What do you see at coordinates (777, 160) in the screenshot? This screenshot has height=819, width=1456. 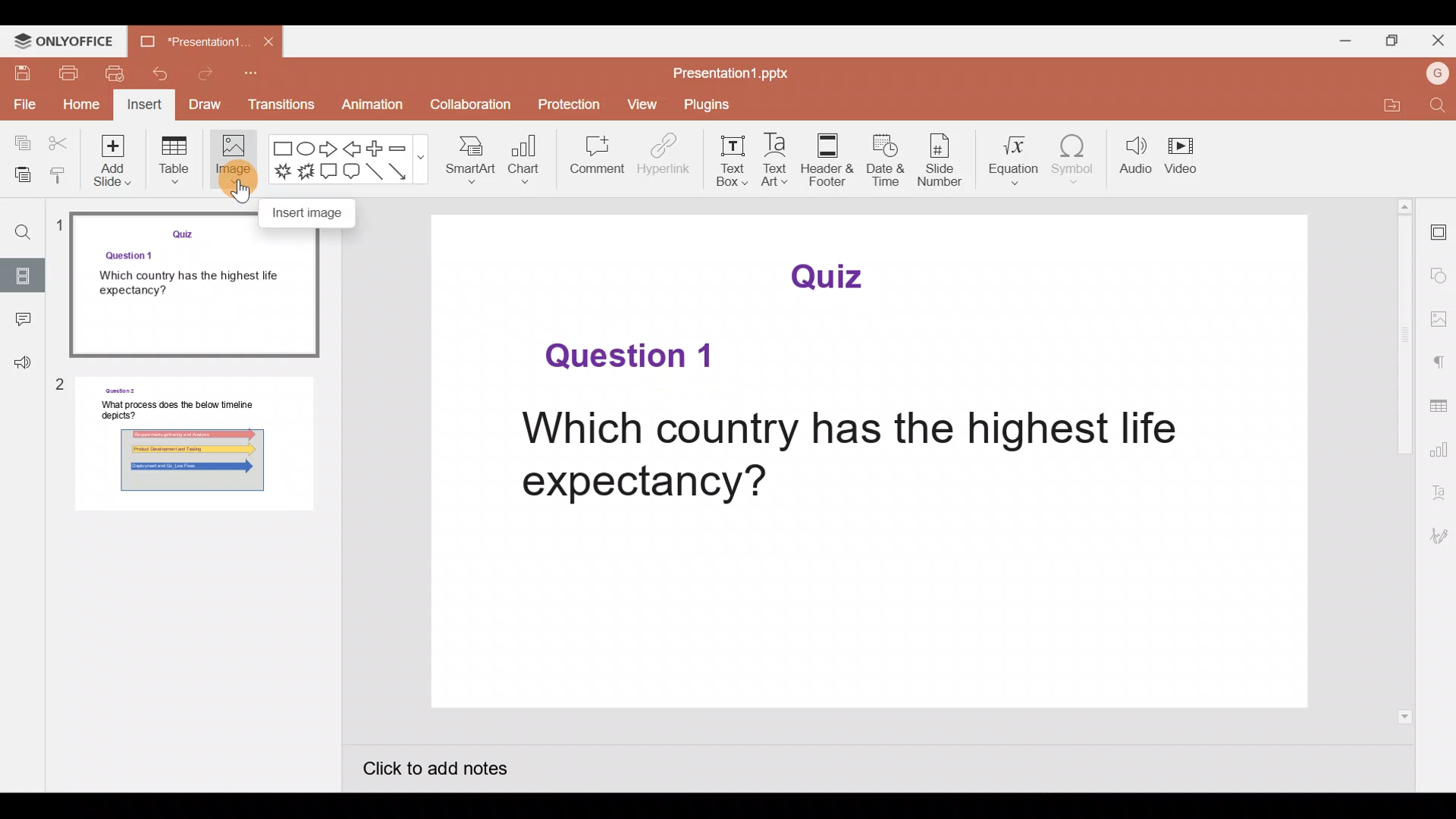 I see `Text Art` at bounding box center [777, 160].